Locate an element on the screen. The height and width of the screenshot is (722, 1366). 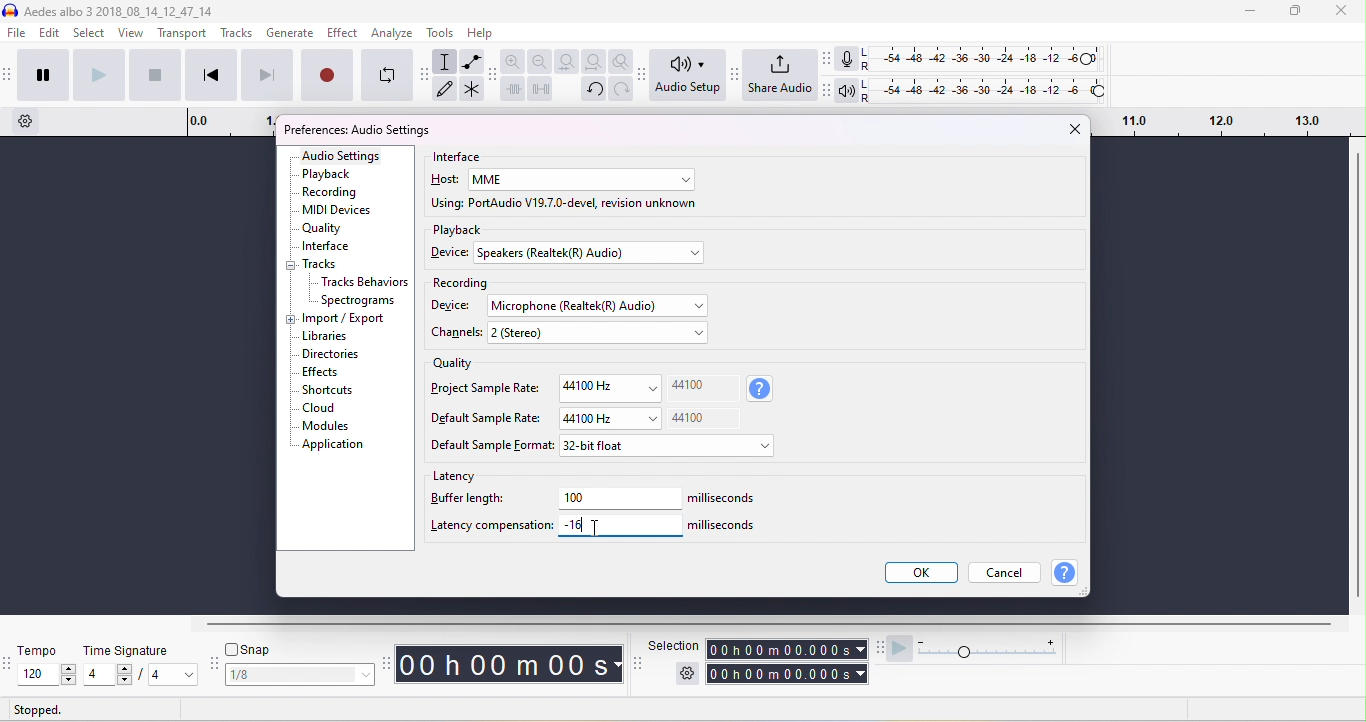
stopped is located at coordinates (39, 711).